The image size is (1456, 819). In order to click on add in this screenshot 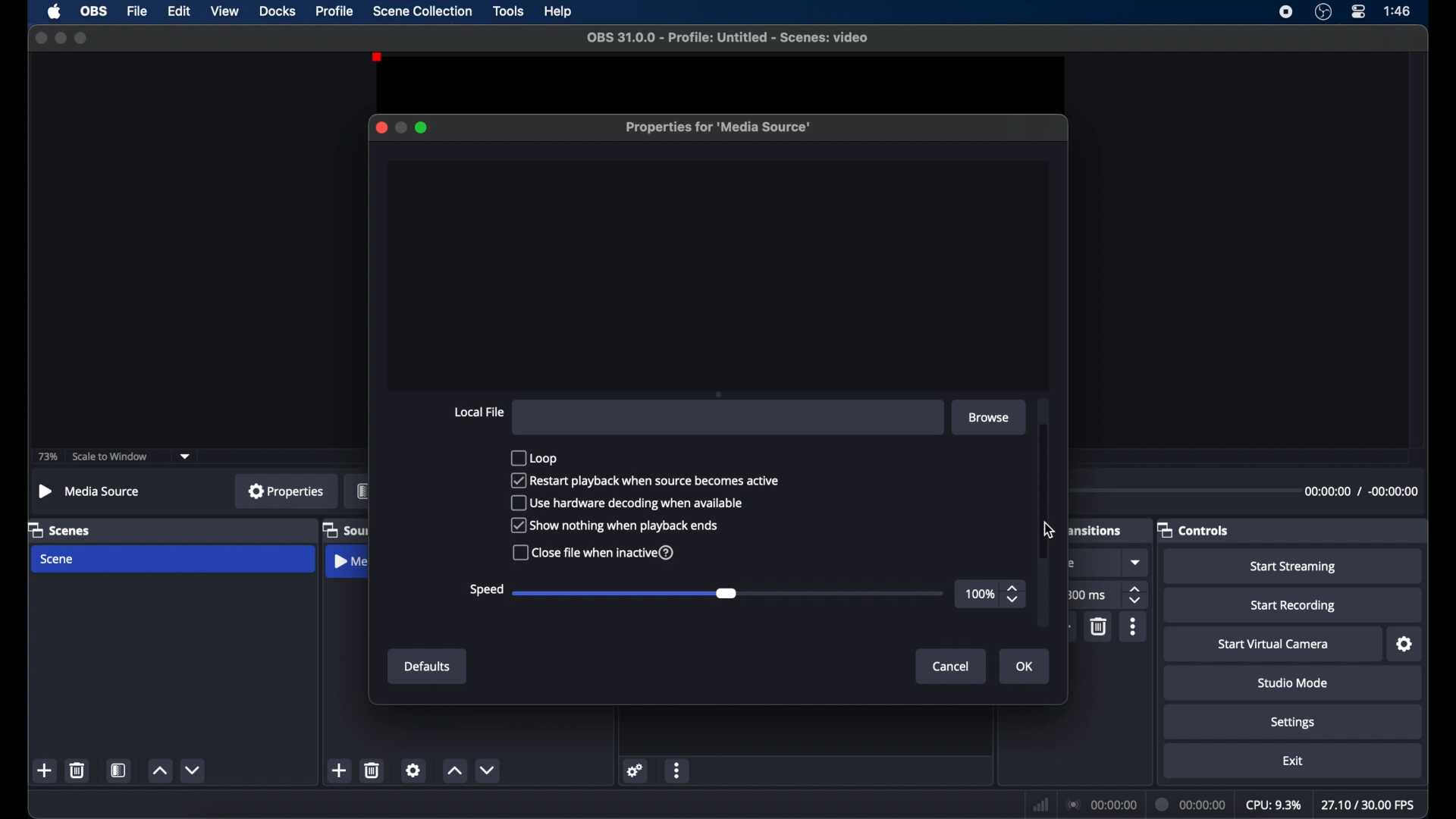, I will do `click(45, 770)`.